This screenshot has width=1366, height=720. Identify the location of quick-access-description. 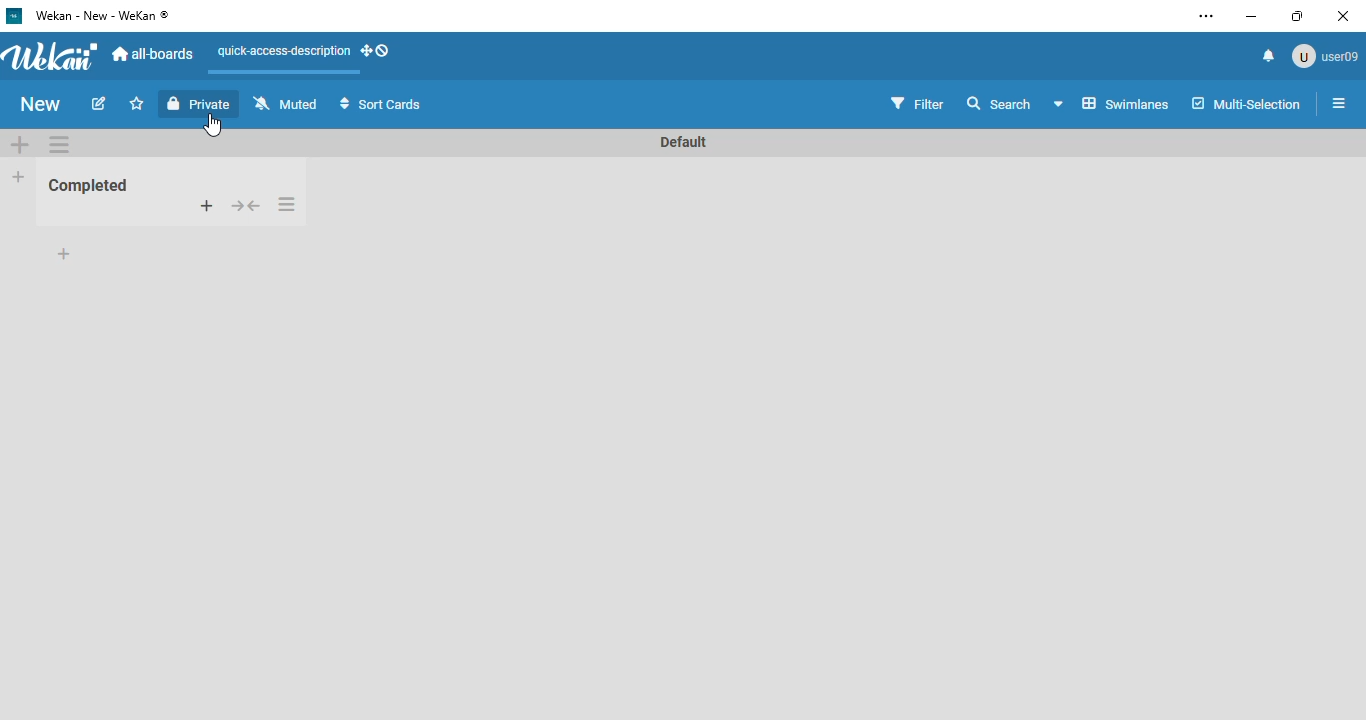
(284, 51).